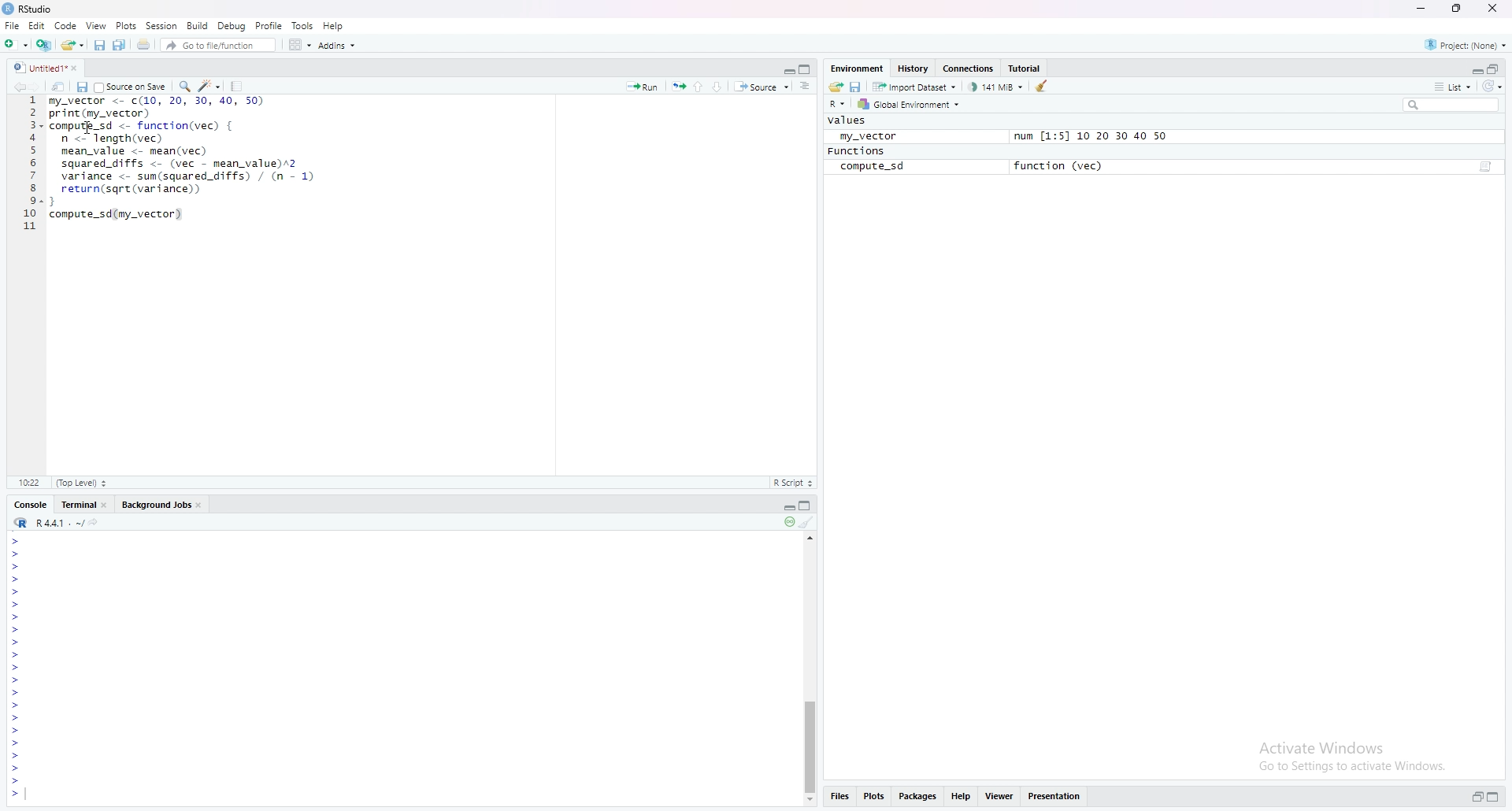 This screenshot has width=1512, height=811. Describe the element at coordinates (642, 86) in the screenshot. I see `Run the current line or selection ( Ctrl + Enter)` at that location.